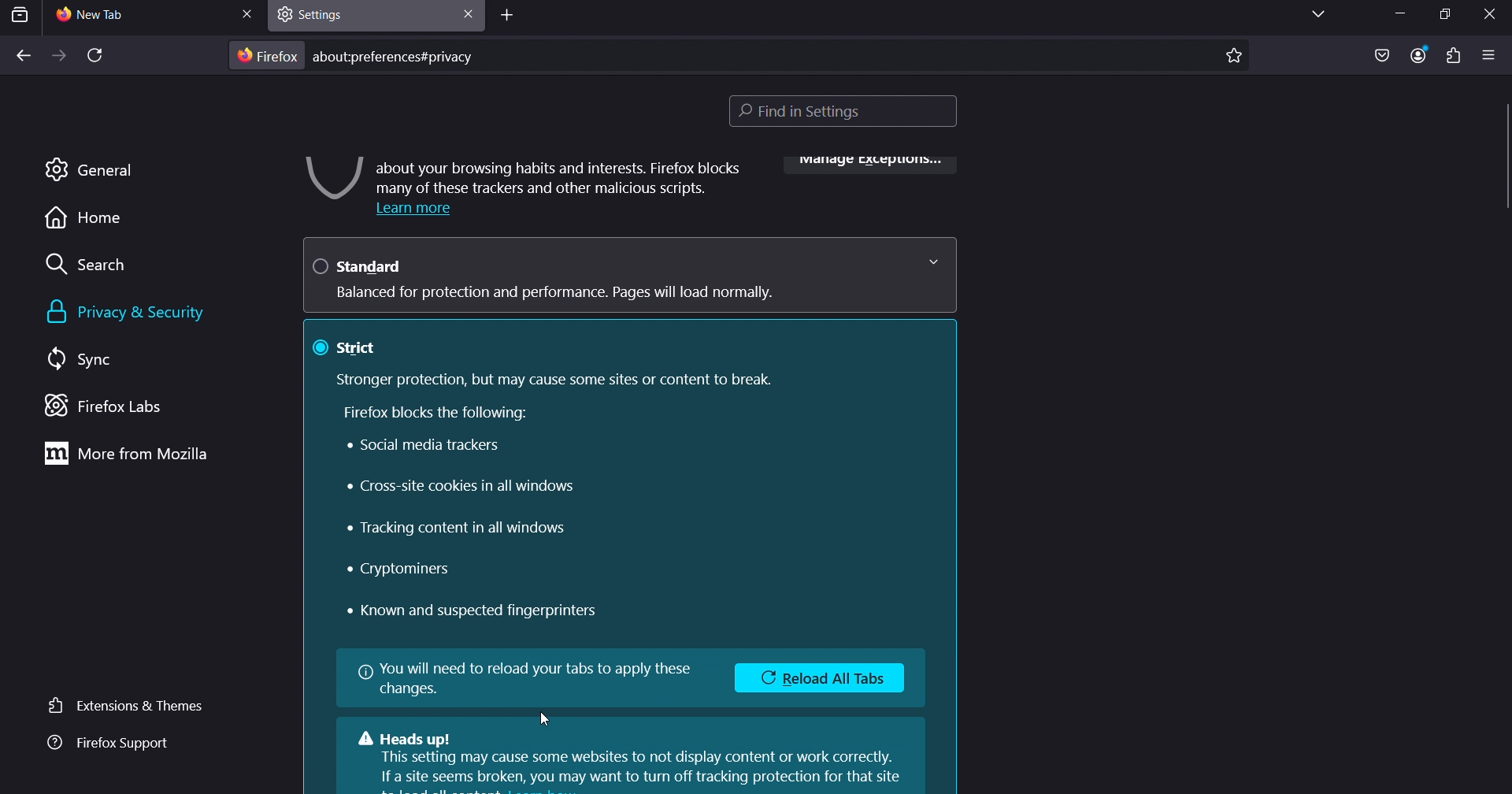  I want to click on more from mozilla, so click(131, 455).